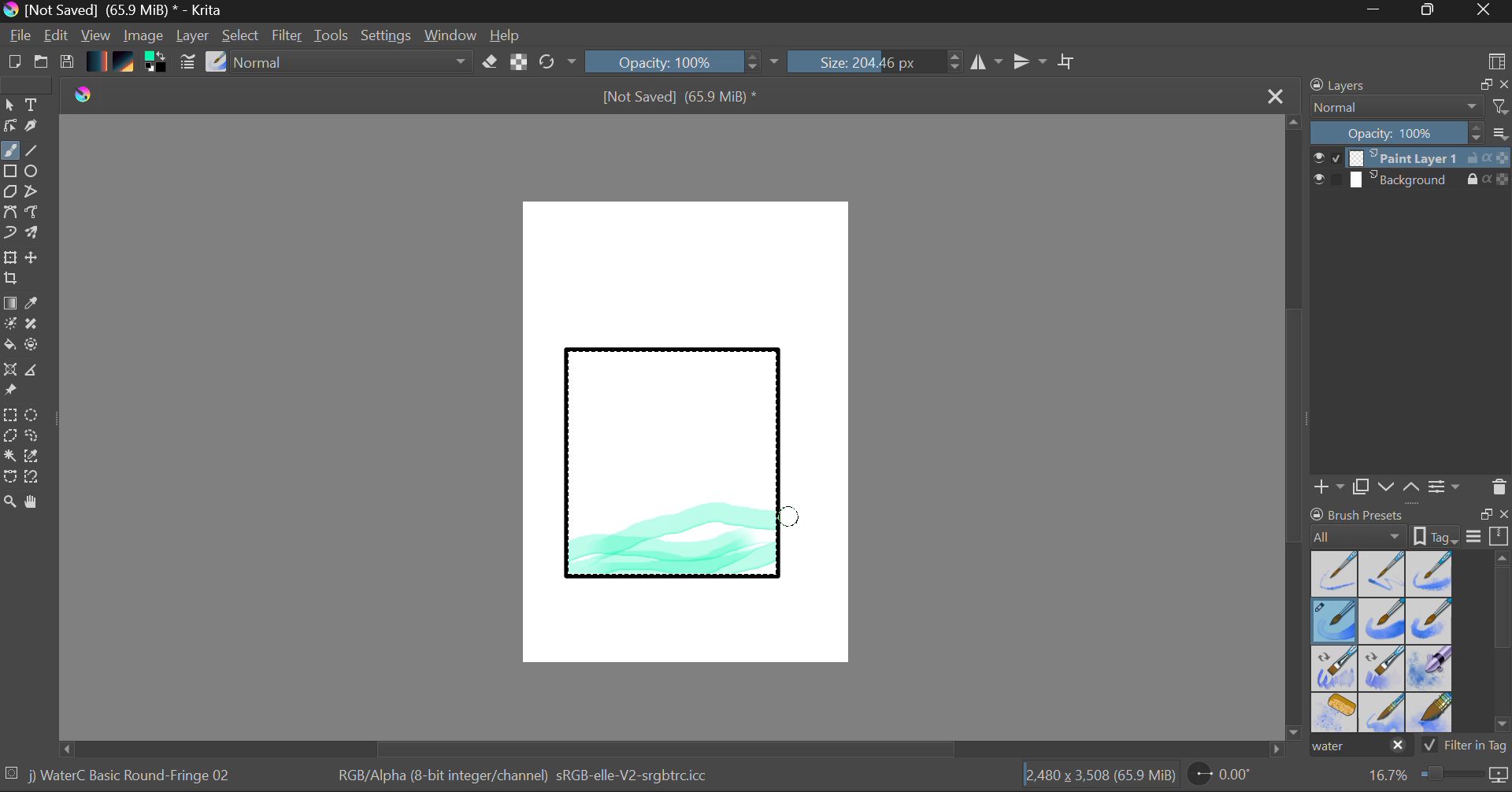 This screenshot has height=792, width=1512. I want to click on Rectangle Shape Selected, so click(674, 479).